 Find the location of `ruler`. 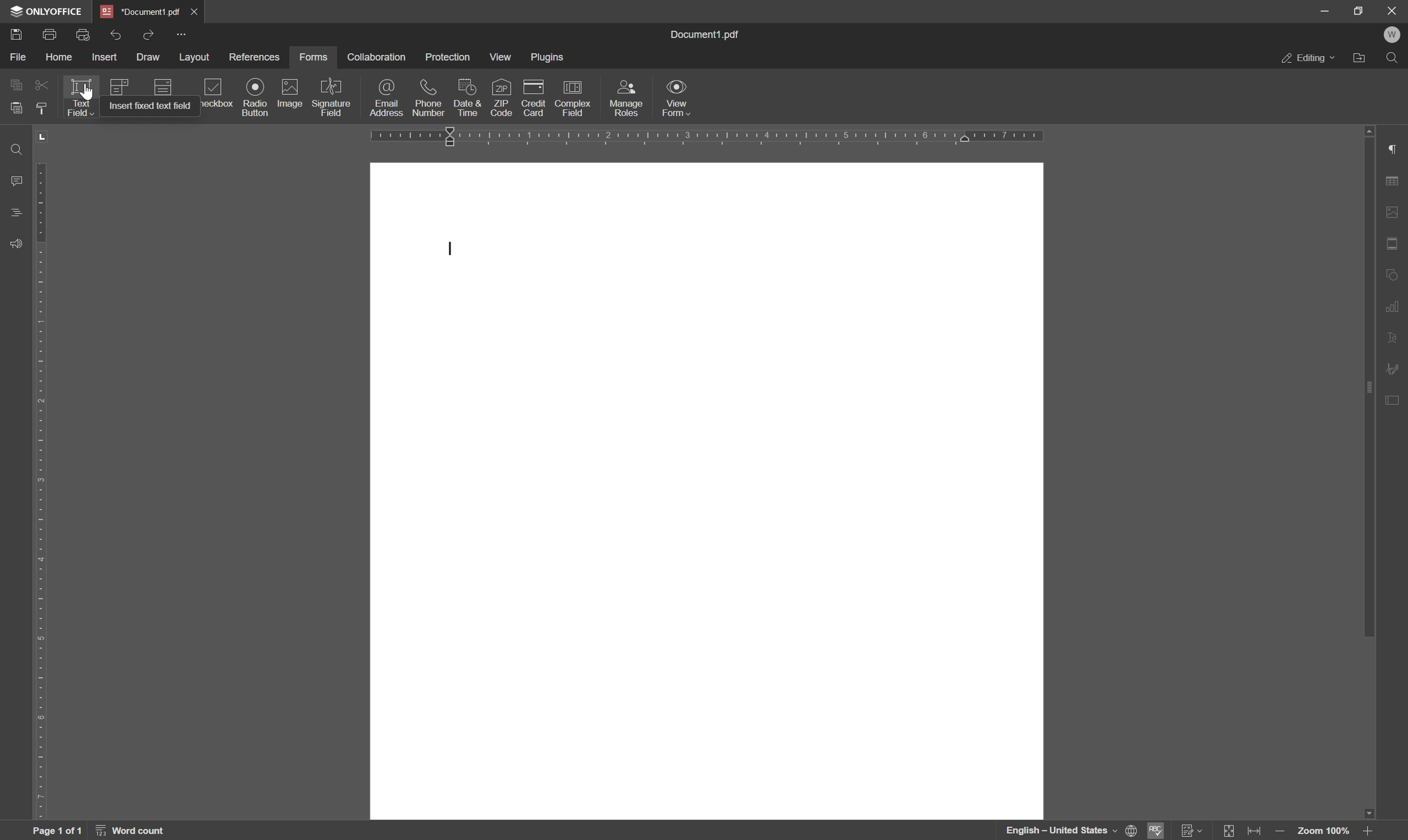

ruler is located at coordinates (41, 490).